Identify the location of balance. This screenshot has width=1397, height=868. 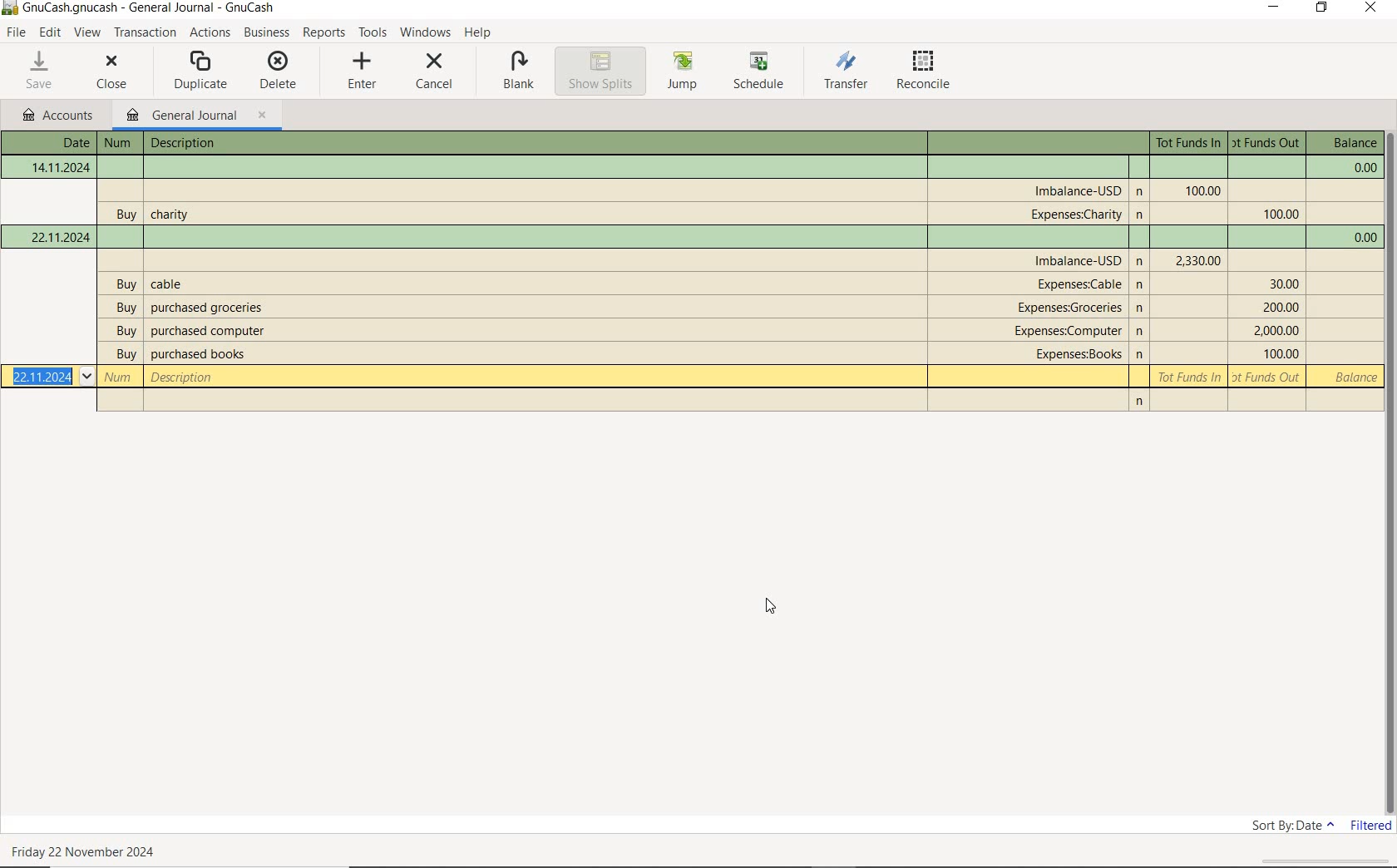
(1353, 378).